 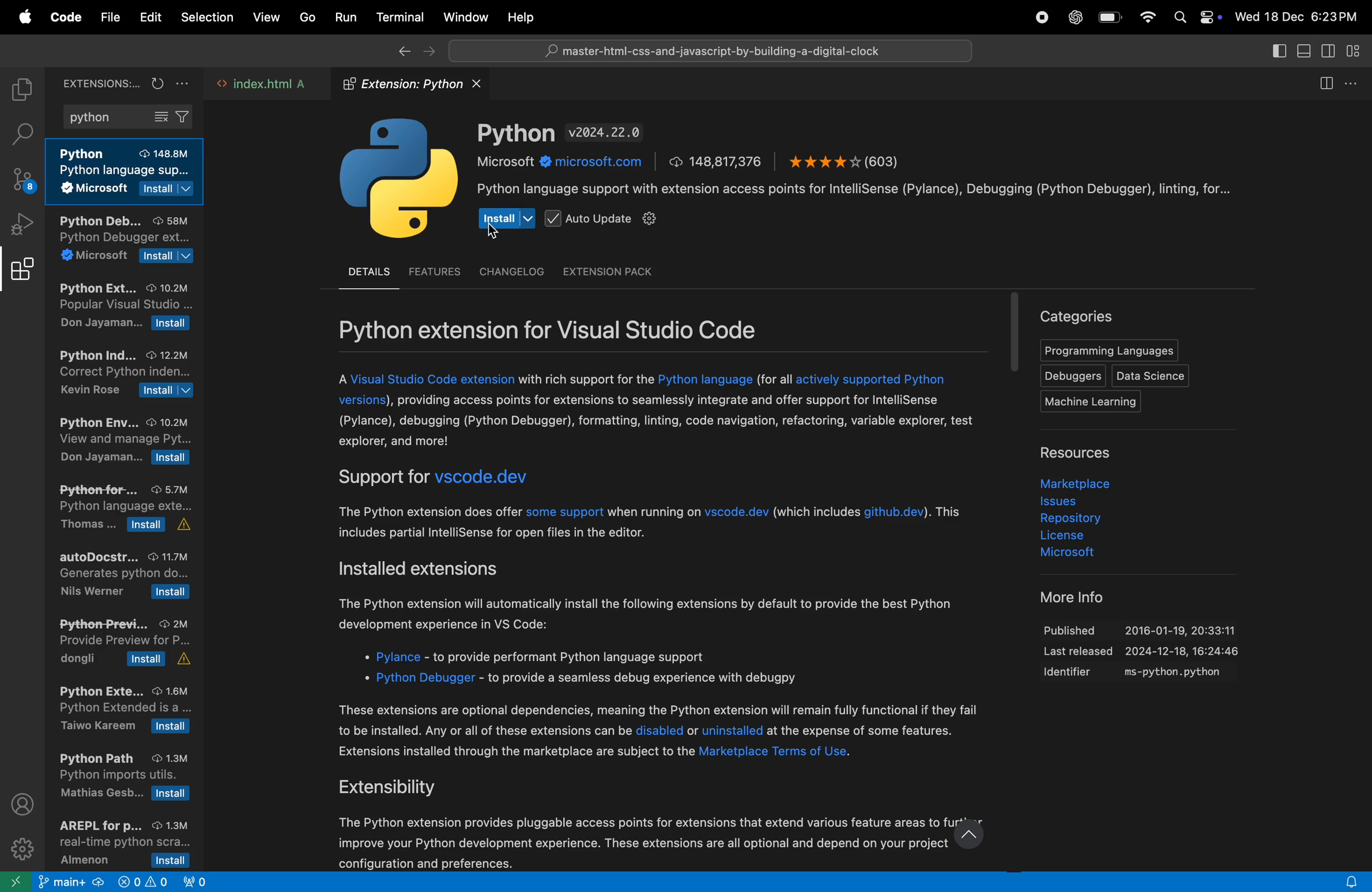 I want to click on explore, so click(x=21, y=90).